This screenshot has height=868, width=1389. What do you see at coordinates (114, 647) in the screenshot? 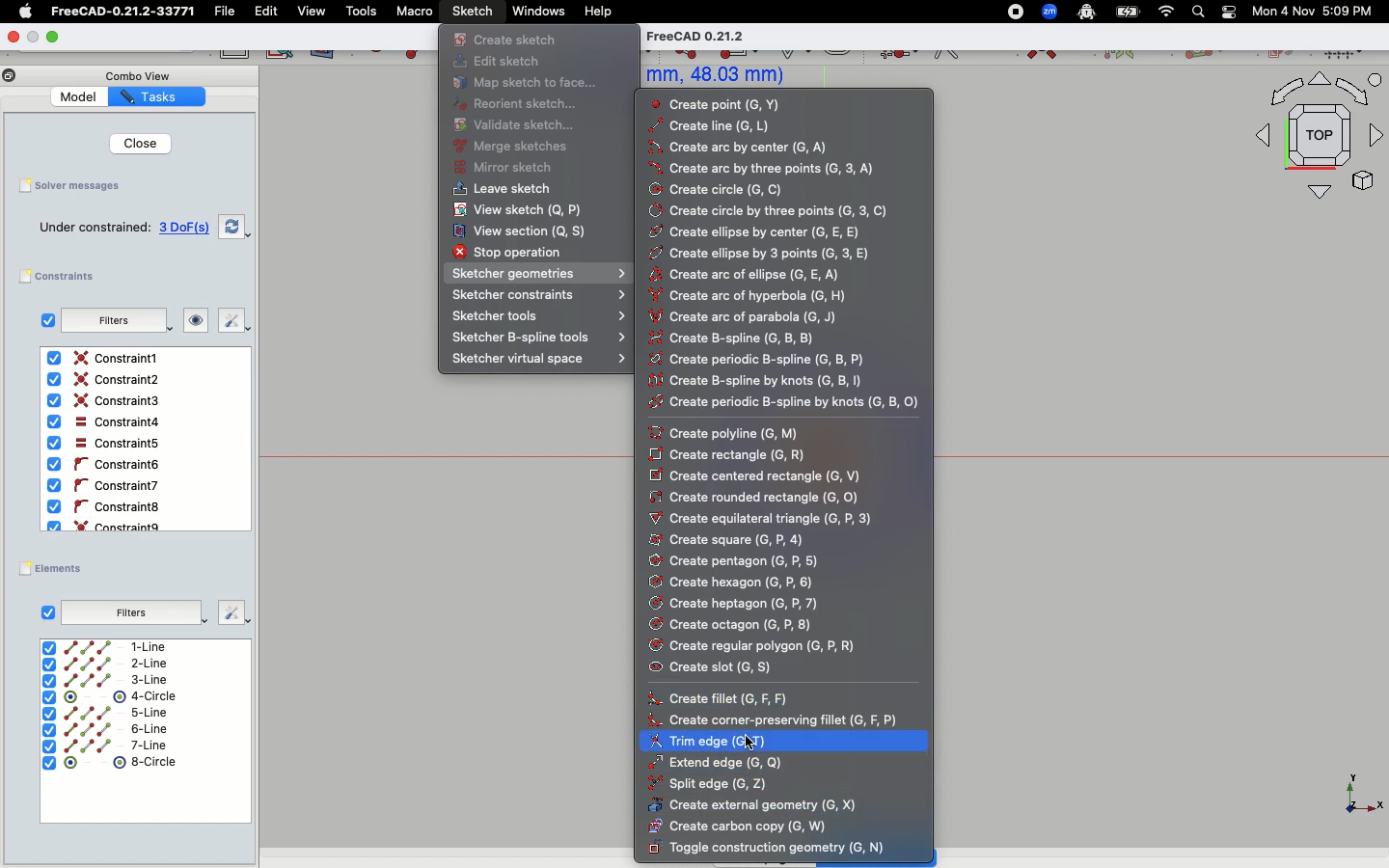
I see `1-Line` at bounding box center [114, 647].